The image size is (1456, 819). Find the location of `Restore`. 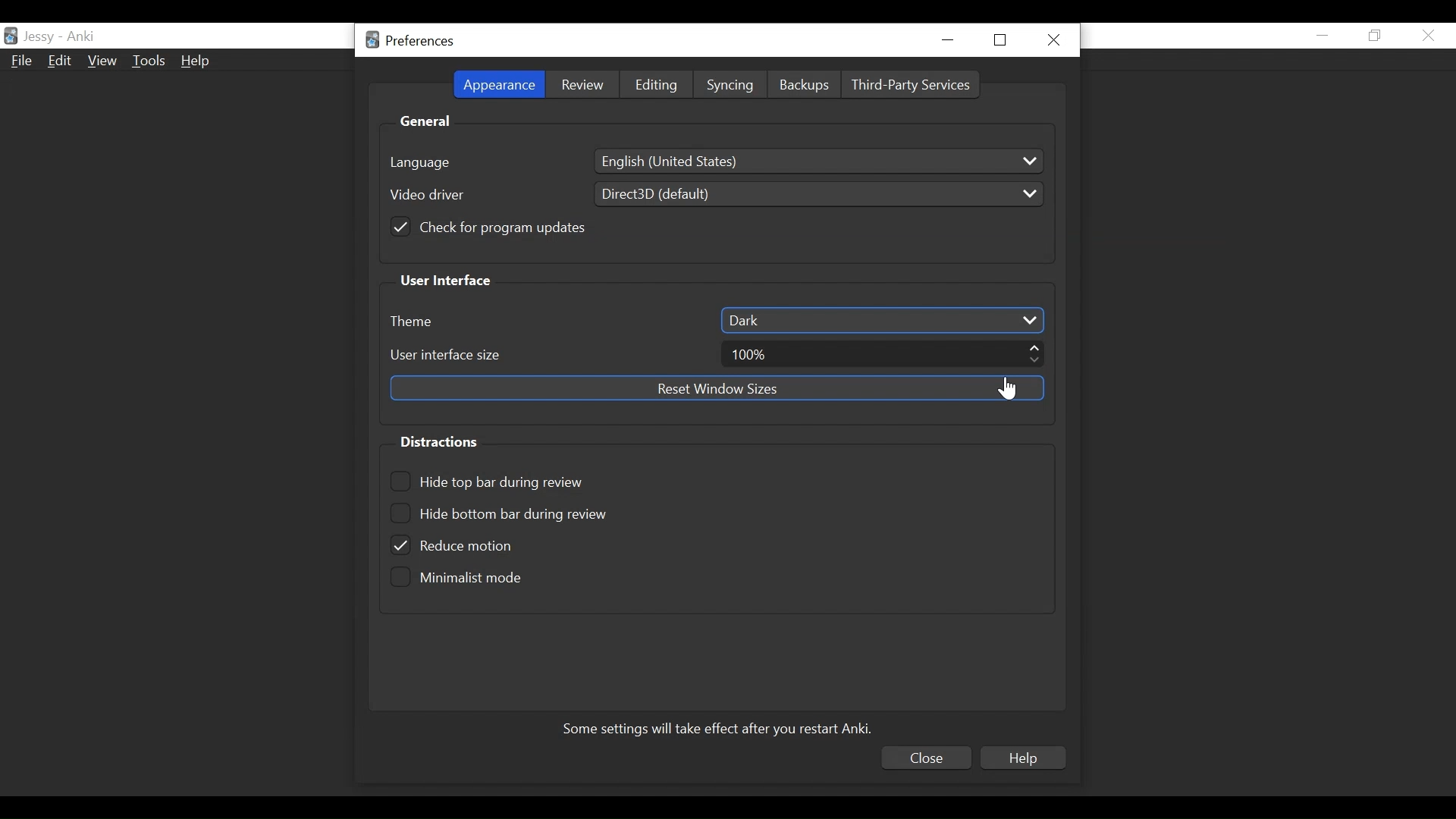

Restore is located at coordinates (999, 39).